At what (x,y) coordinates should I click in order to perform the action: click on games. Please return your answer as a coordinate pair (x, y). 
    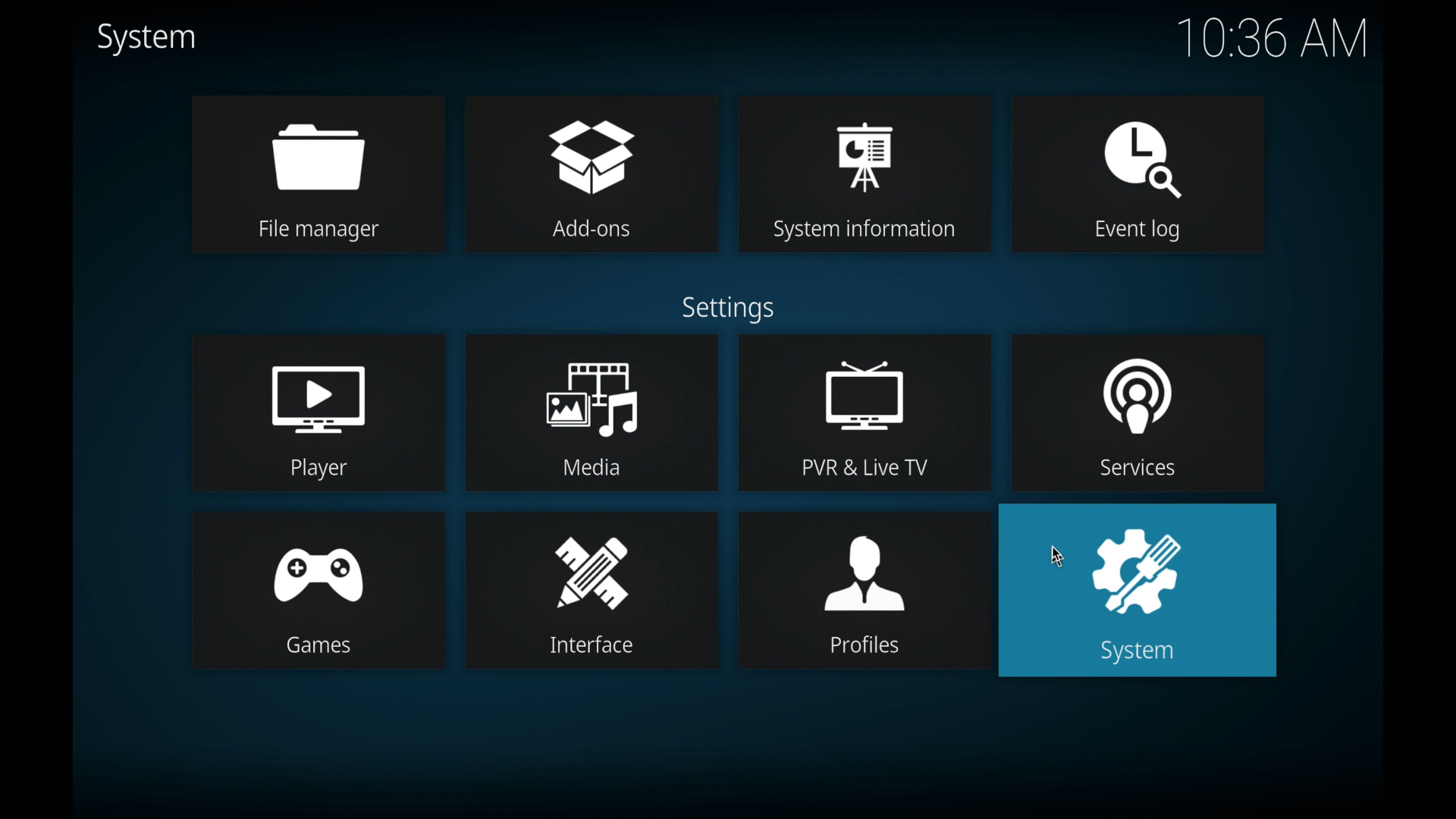
    Looking at the image, I should click on (317, 590).